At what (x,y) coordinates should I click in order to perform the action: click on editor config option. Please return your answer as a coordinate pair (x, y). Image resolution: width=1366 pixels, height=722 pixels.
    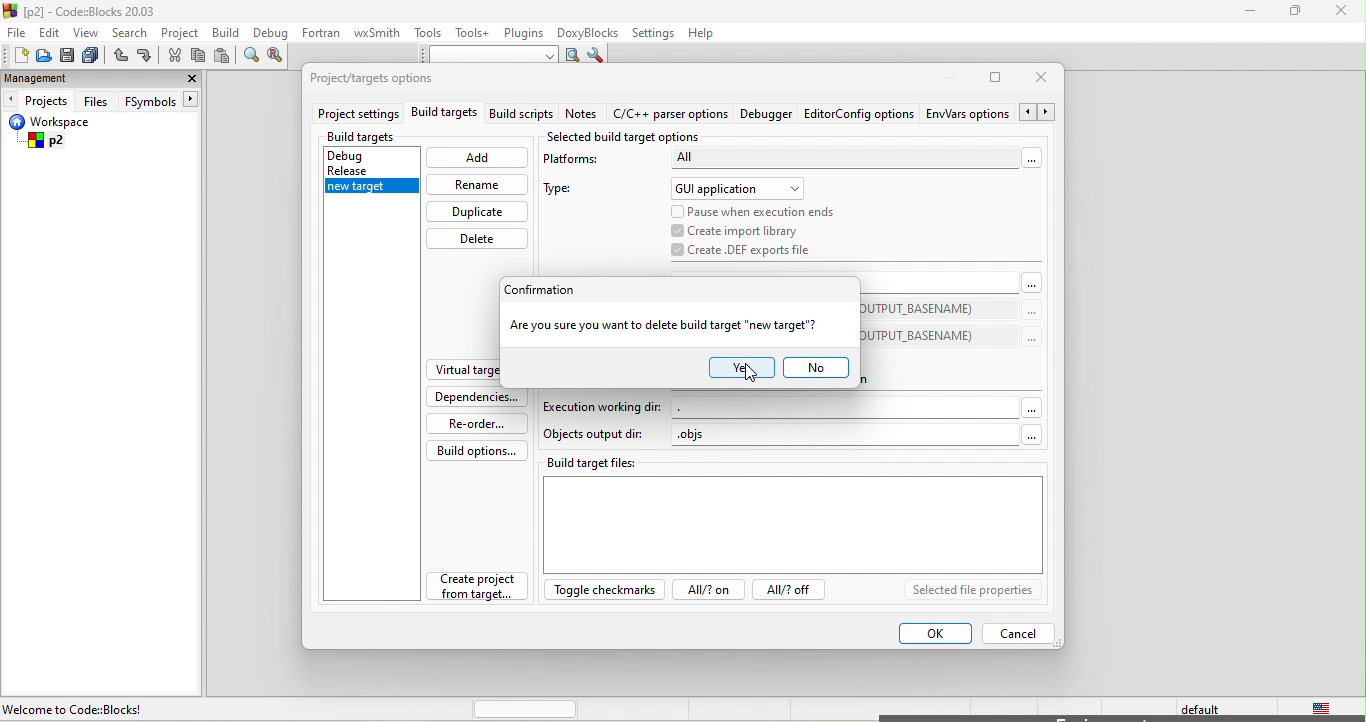
    Looking at the image, I should click on (860, 118).